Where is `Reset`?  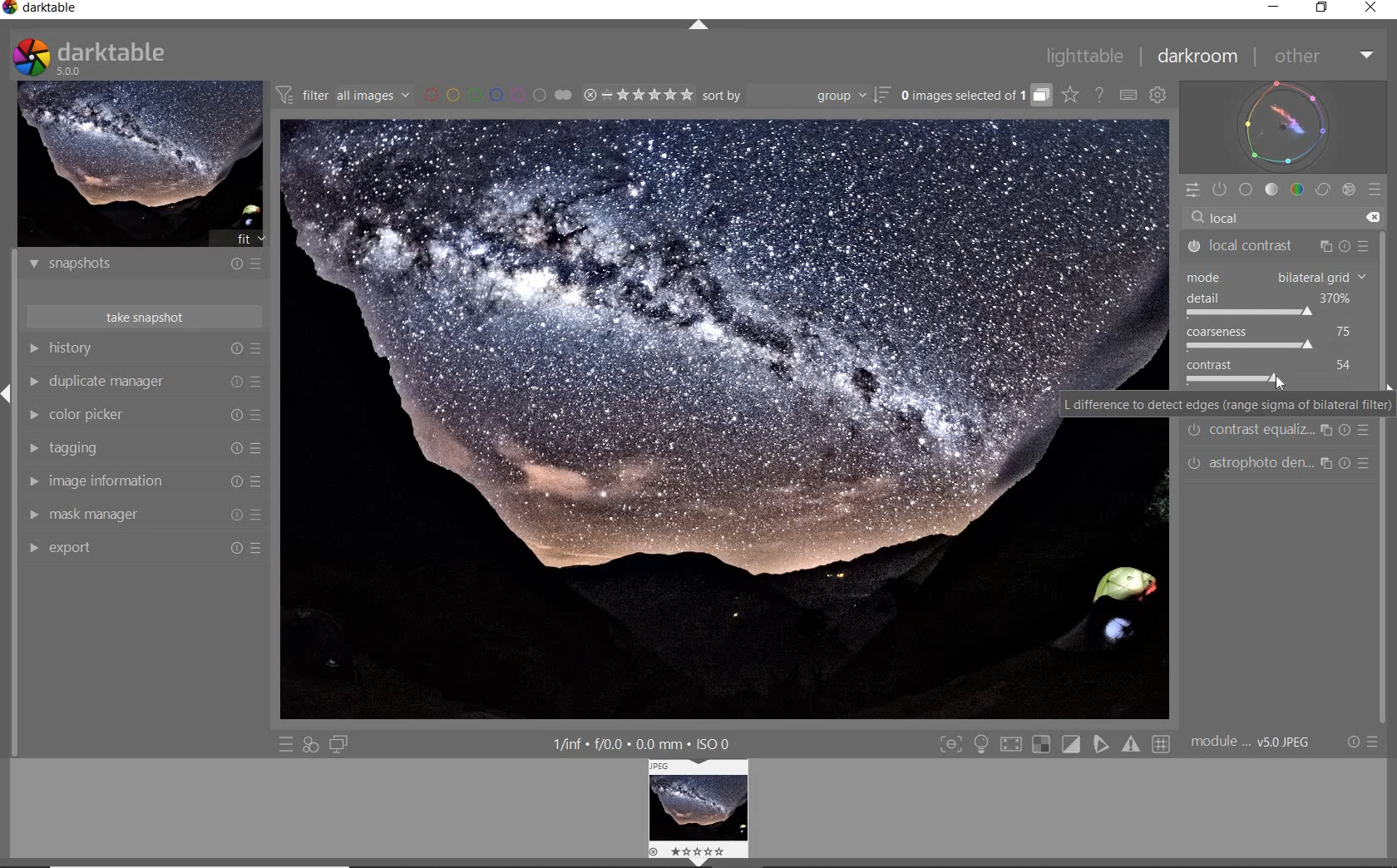 Reset is located at coordinates (233, 548).